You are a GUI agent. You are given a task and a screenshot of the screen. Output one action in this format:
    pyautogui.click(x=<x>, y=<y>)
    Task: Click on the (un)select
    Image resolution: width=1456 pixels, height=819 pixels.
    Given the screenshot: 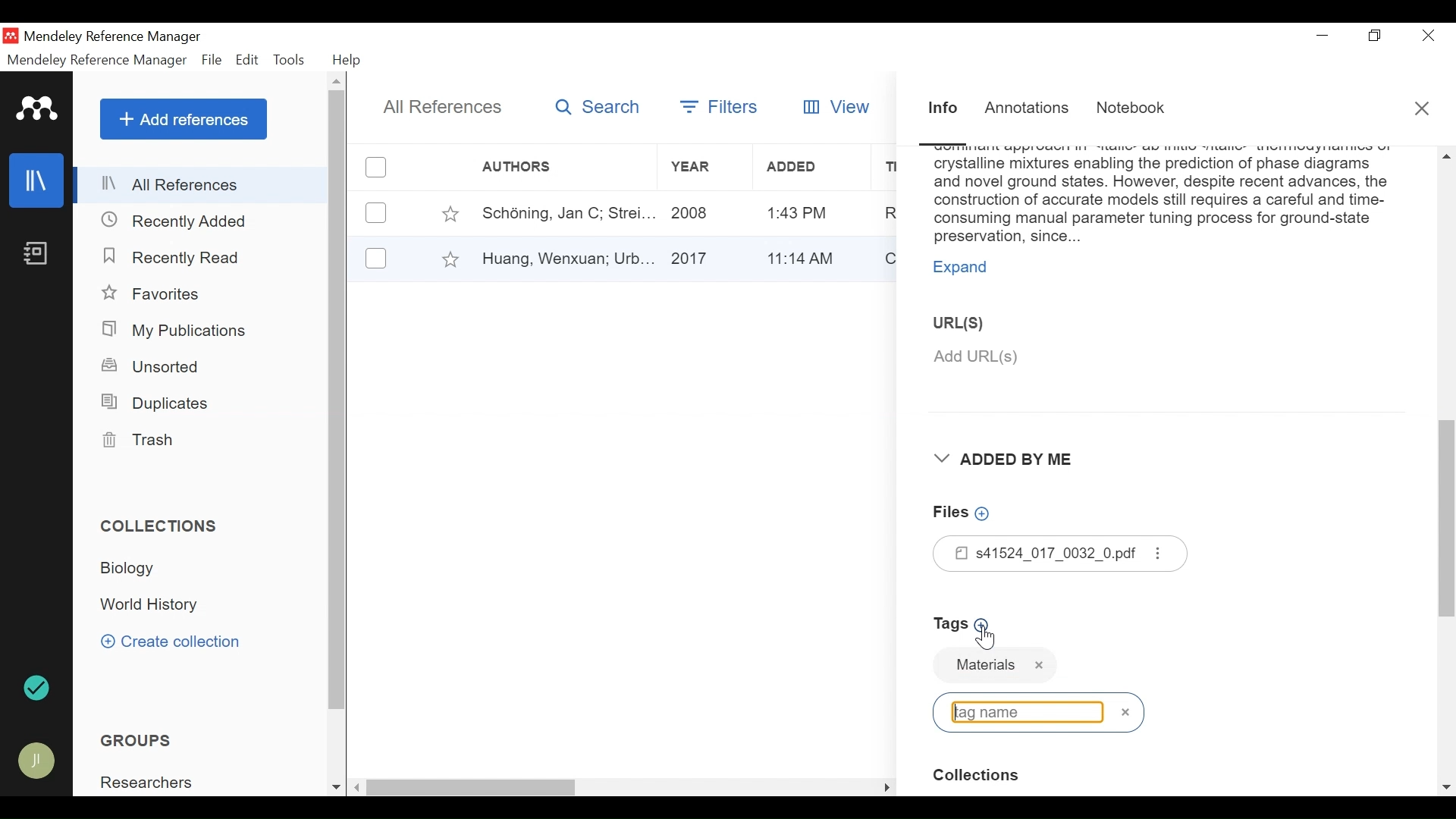 What is the action you would take?
    pyautogui.click(x=376, y=258)
    